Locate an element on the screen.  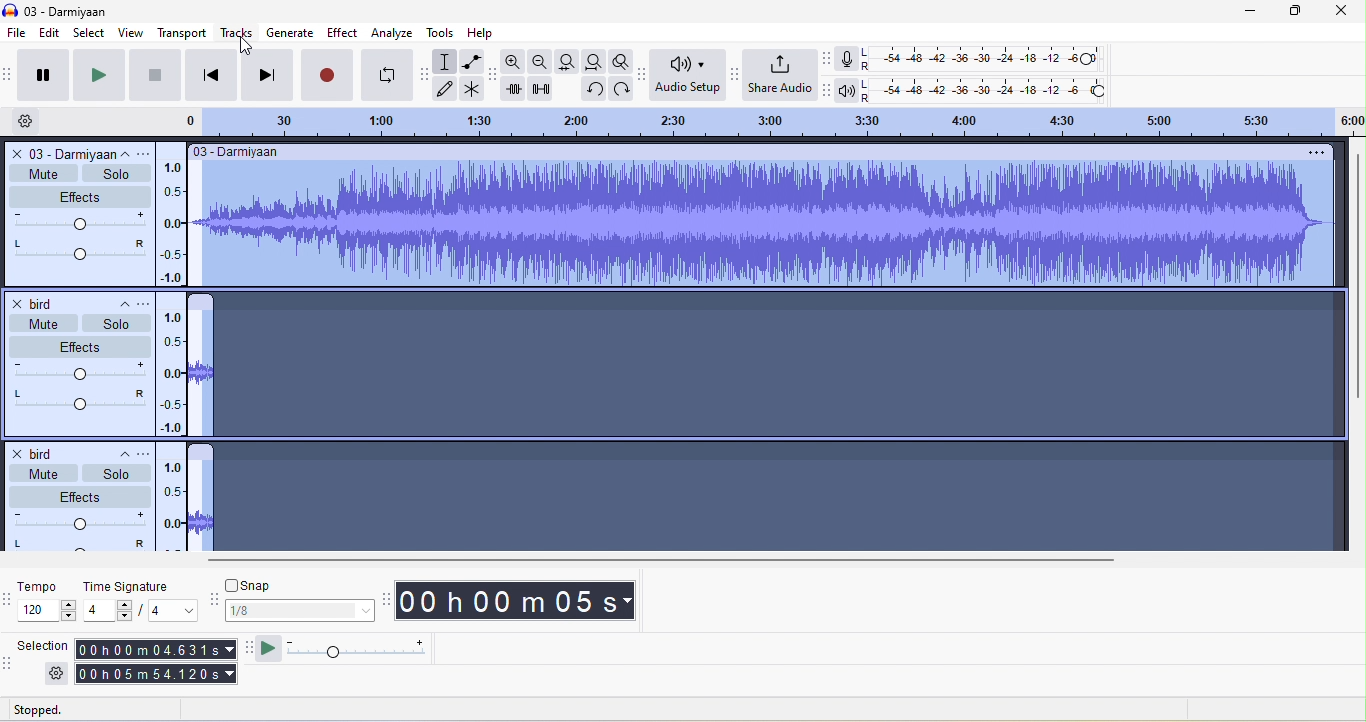
collapse is located at coordinates (126, 155).